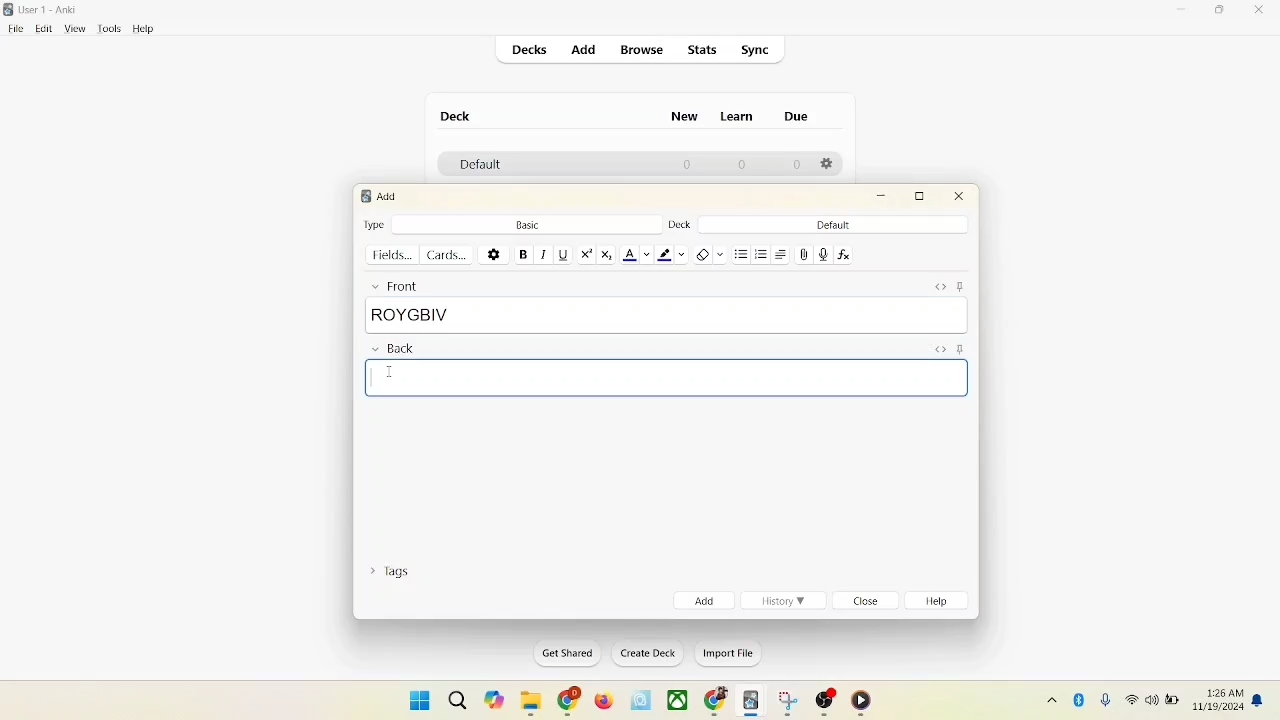 The image size is (1280, 720). What do you see at coordinates (412, 699) in the screenshot?
I see `window` at bounding box center [412, 699].